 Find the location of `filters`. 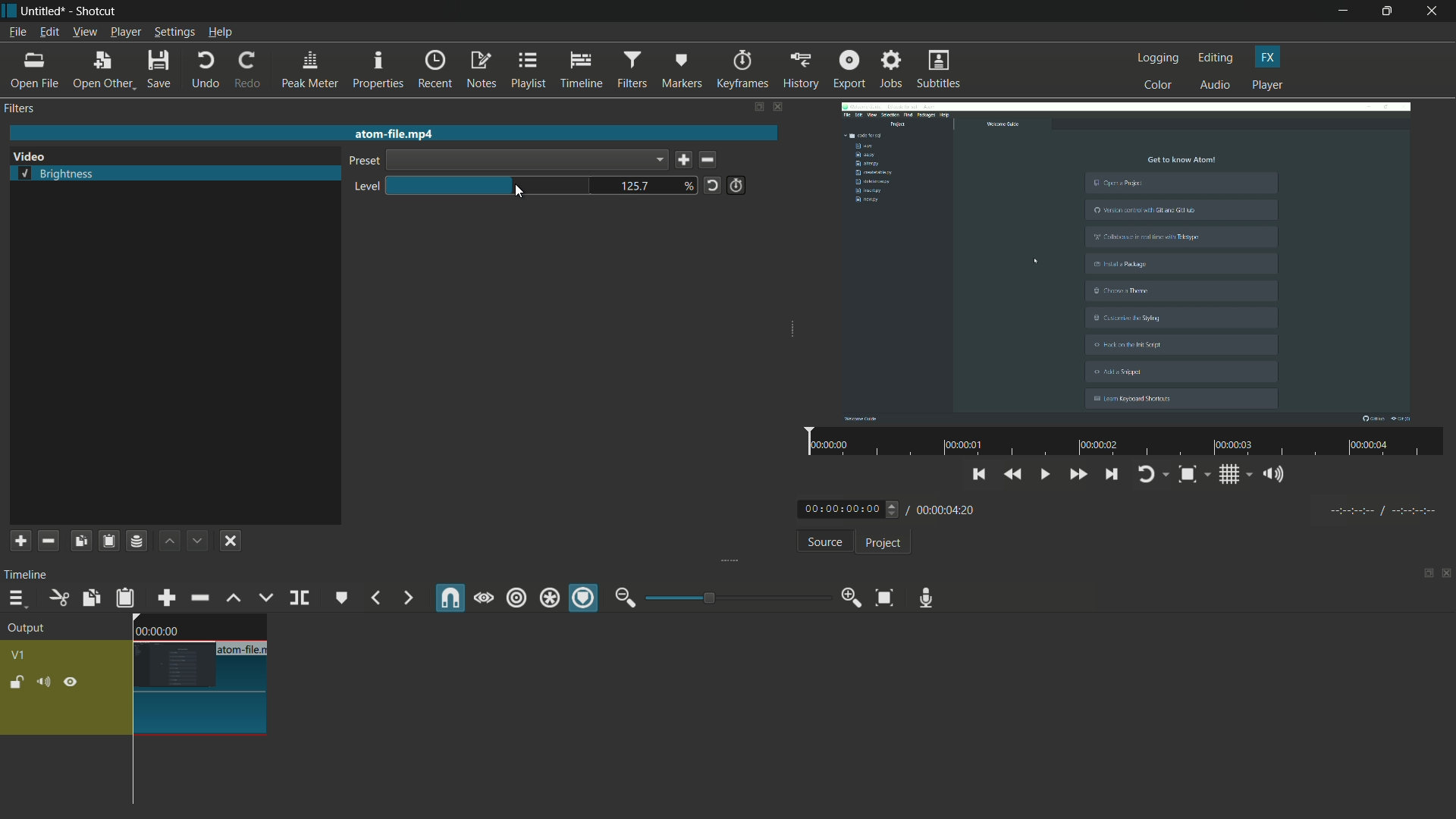

filters is located at coordinates (21, 108).